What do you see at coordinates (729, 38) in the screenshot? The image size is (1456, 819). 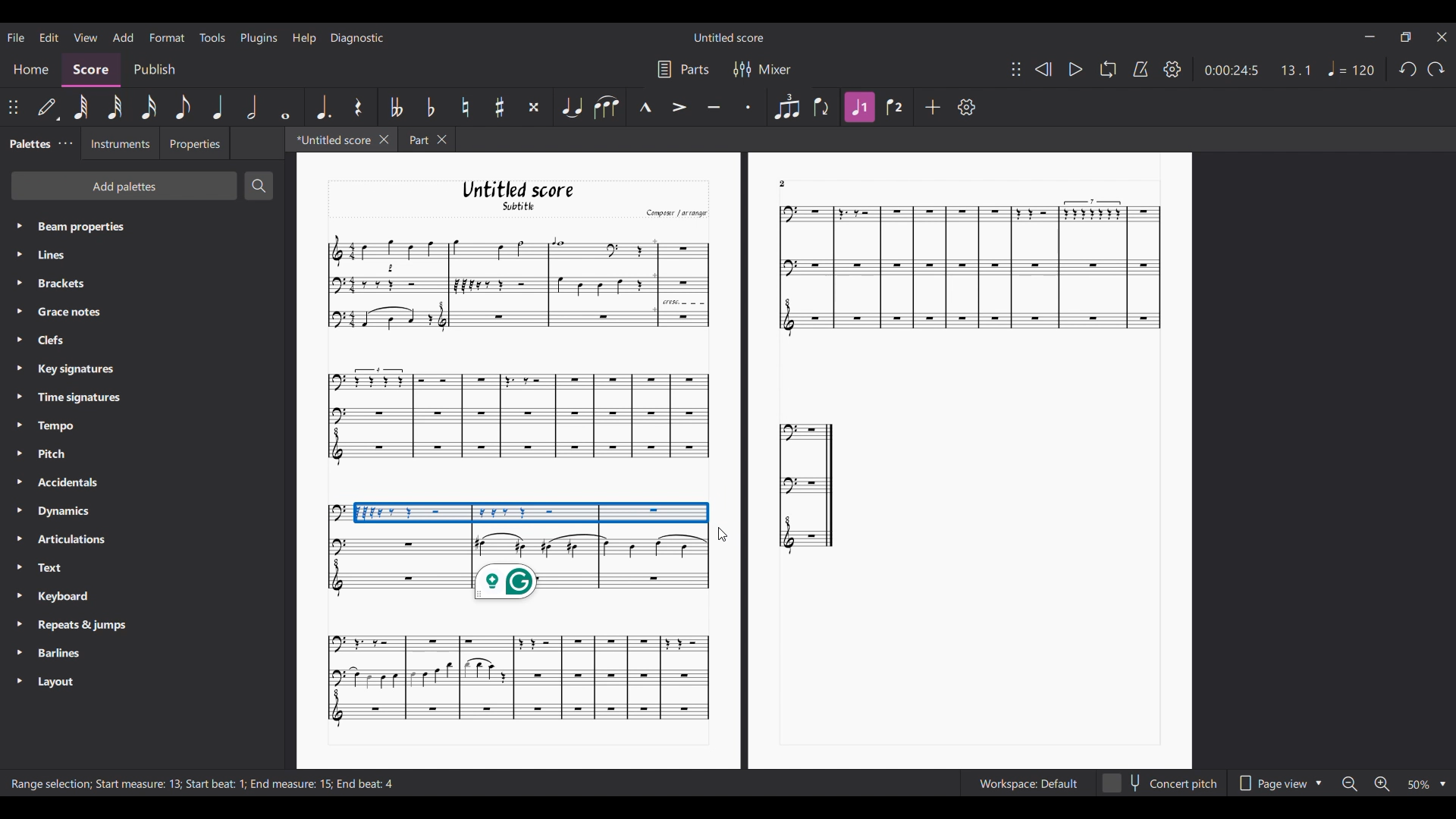 I see `Untitled score` at bounding box center [729, 38].